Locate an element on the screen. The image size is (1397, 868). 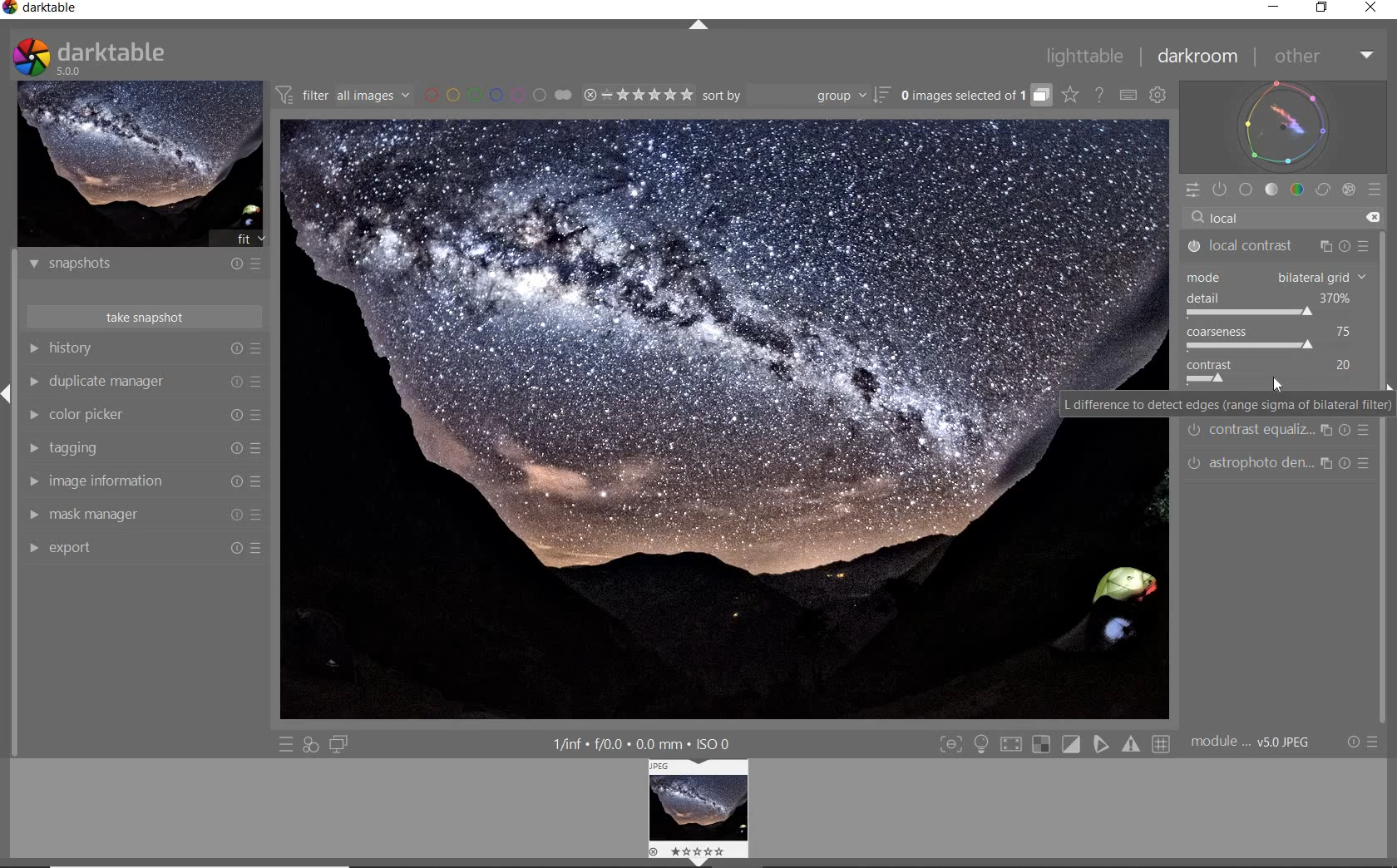
reset parameters is located at coordinates (1369, 463).